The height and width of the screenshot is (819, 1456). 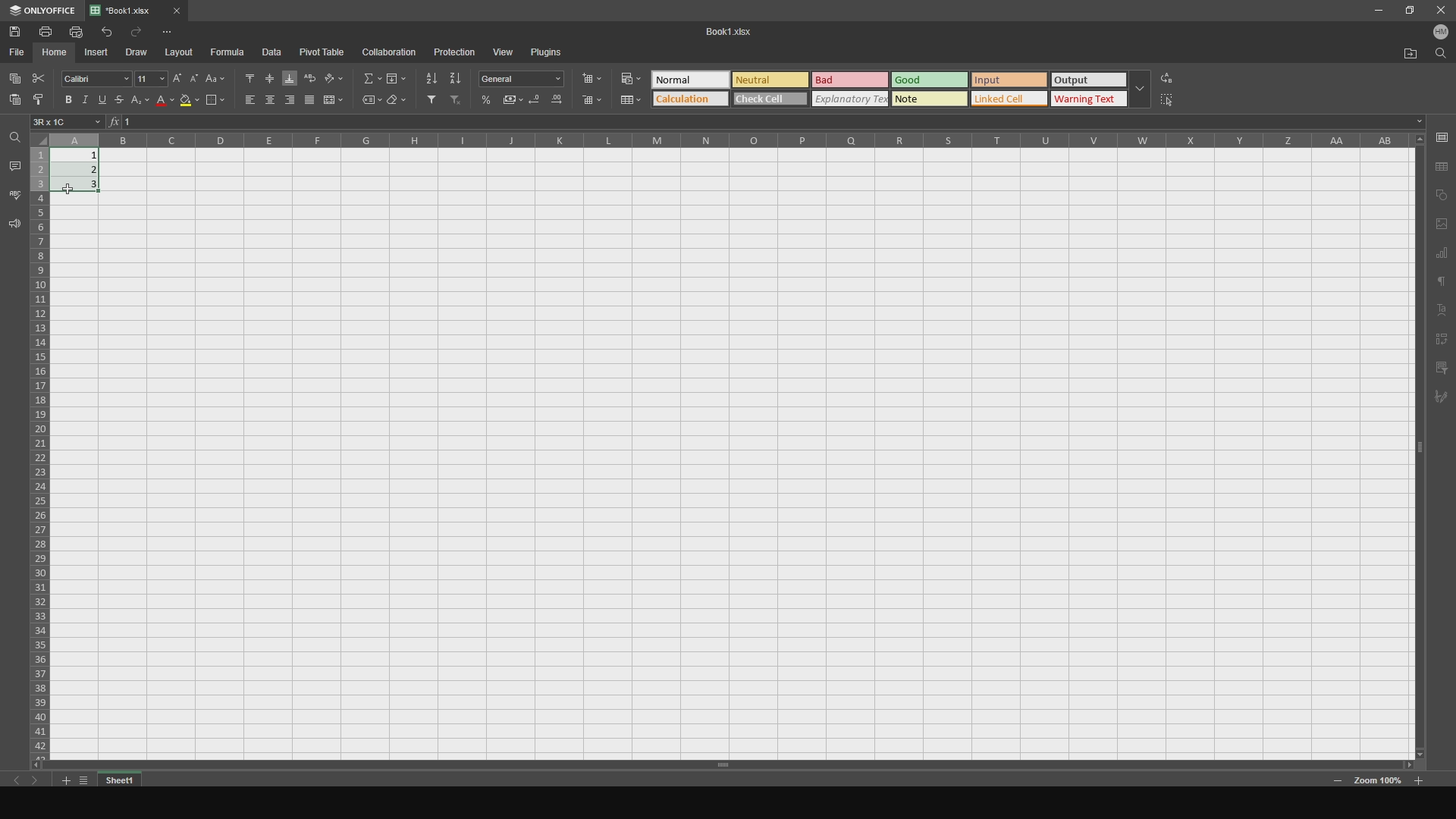 What do you see at coordinates (14, 777) in the screenshot?
I see `previous sheet` at bounding box center [14, 777].